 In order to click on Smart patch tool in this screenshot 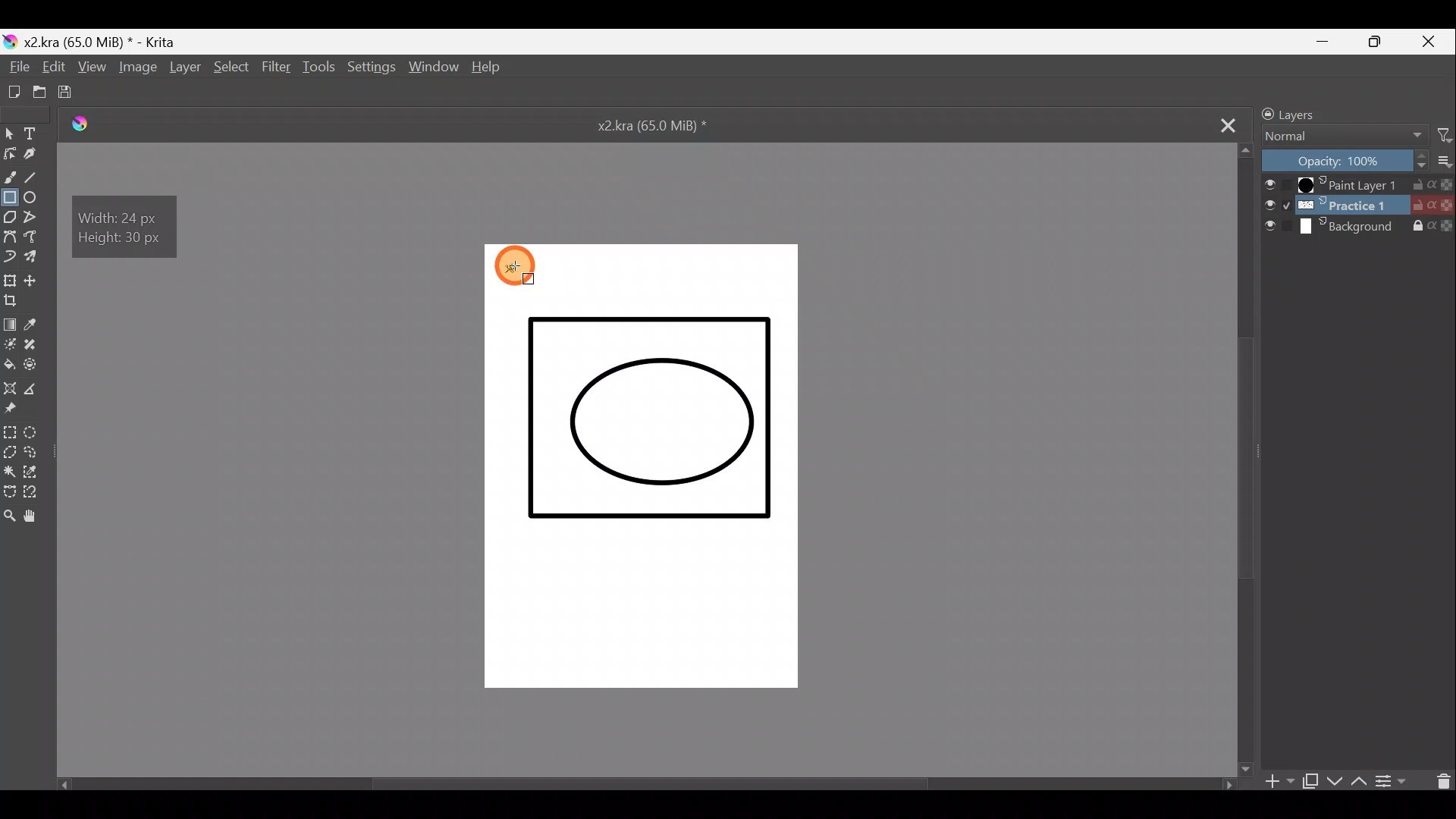, I will do `click(36, 346)`.